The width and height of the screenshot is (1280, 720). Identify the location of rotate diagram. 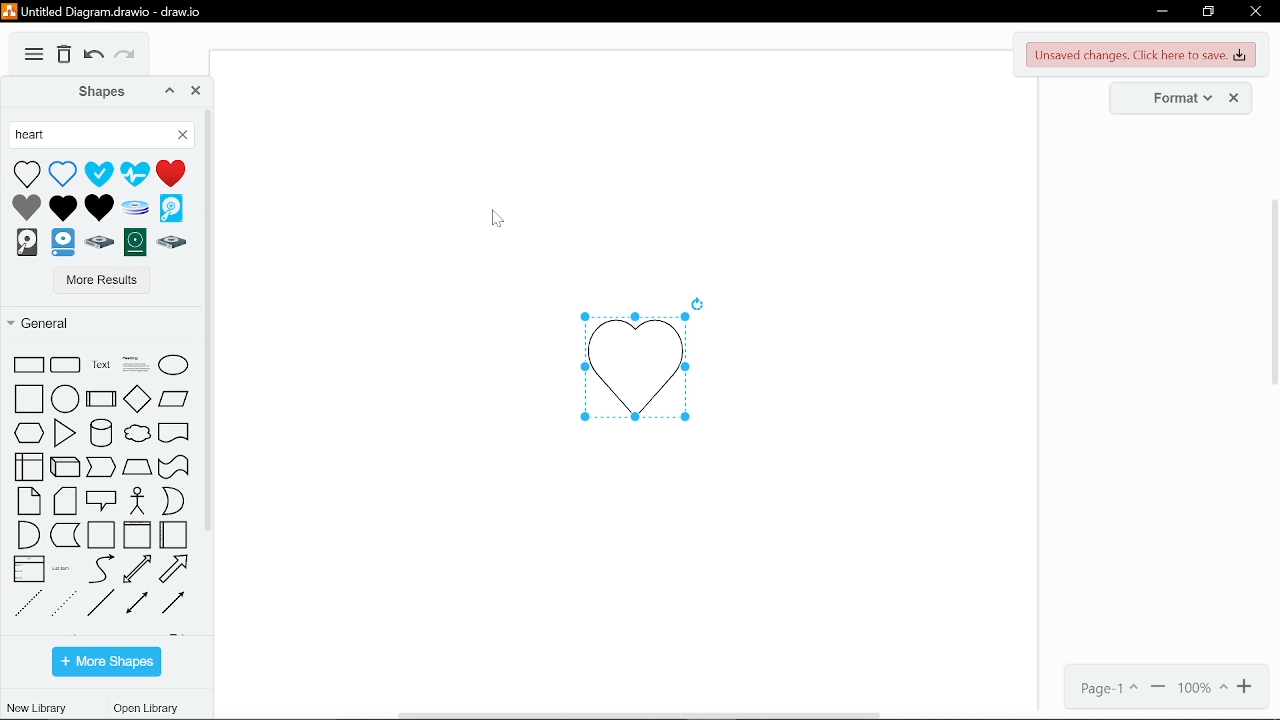
(700, 302).